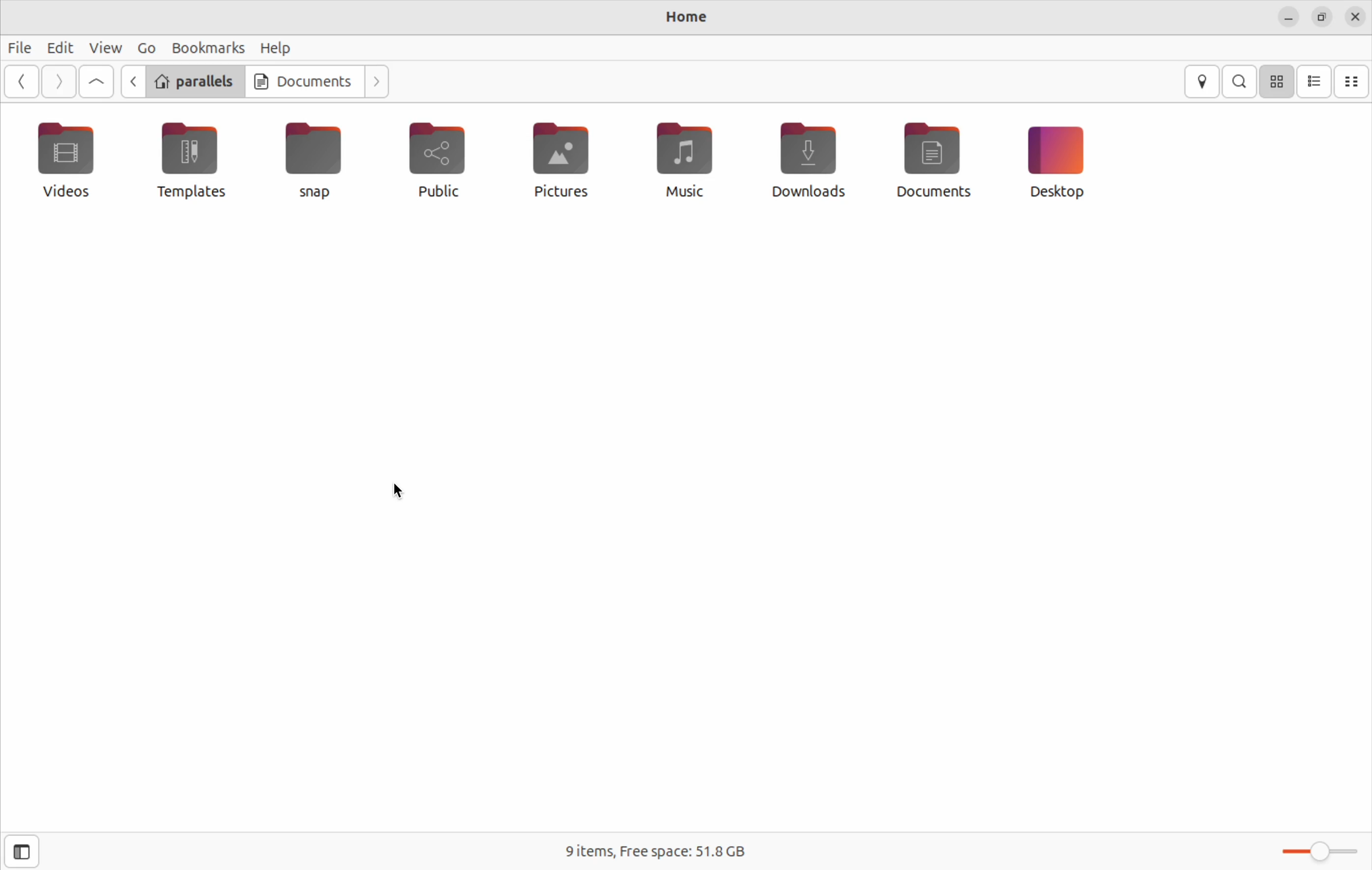  I want to click on Go, so click(147, 50).